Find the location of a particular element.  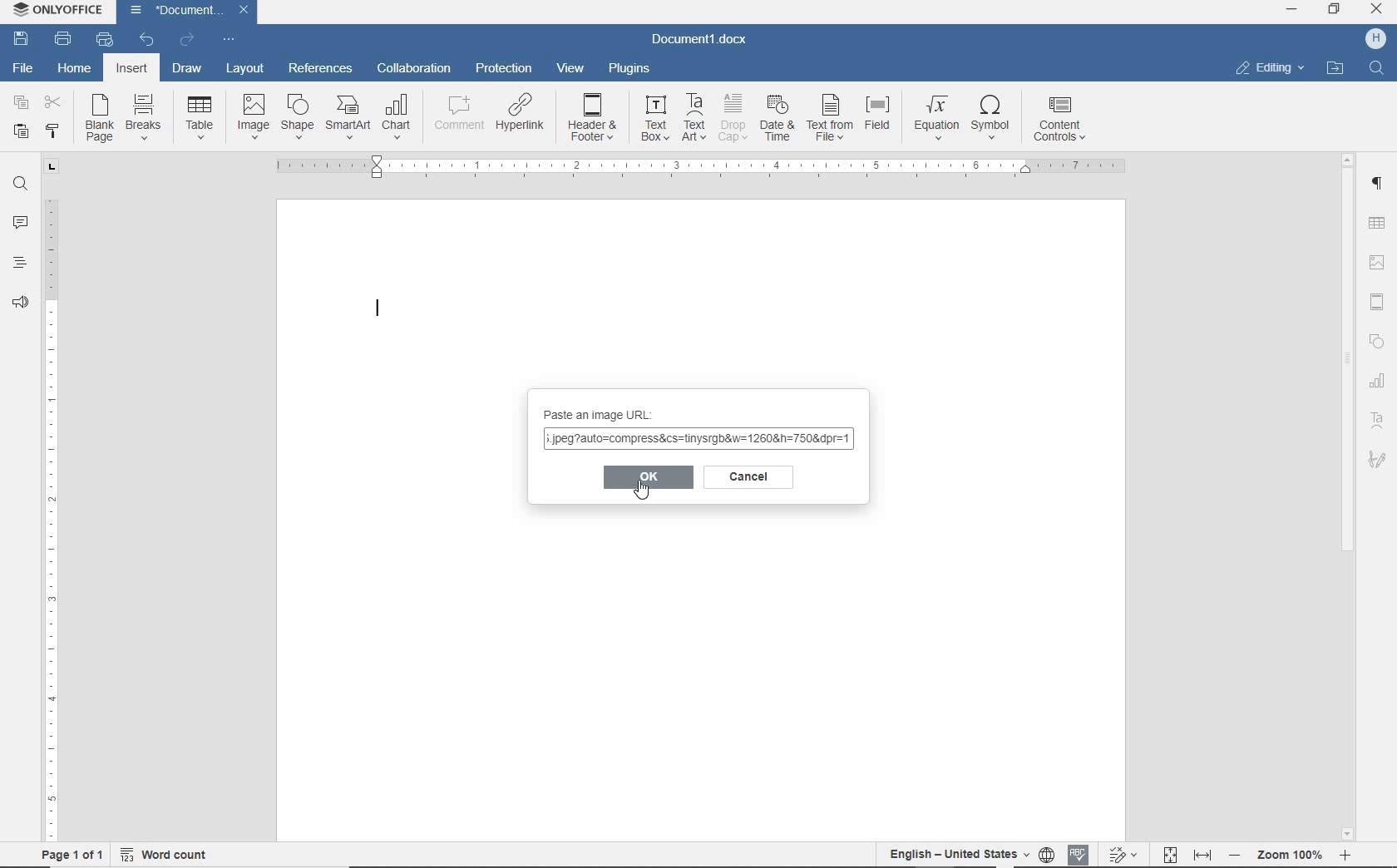

find and replace is located at coordinates (23, 184).